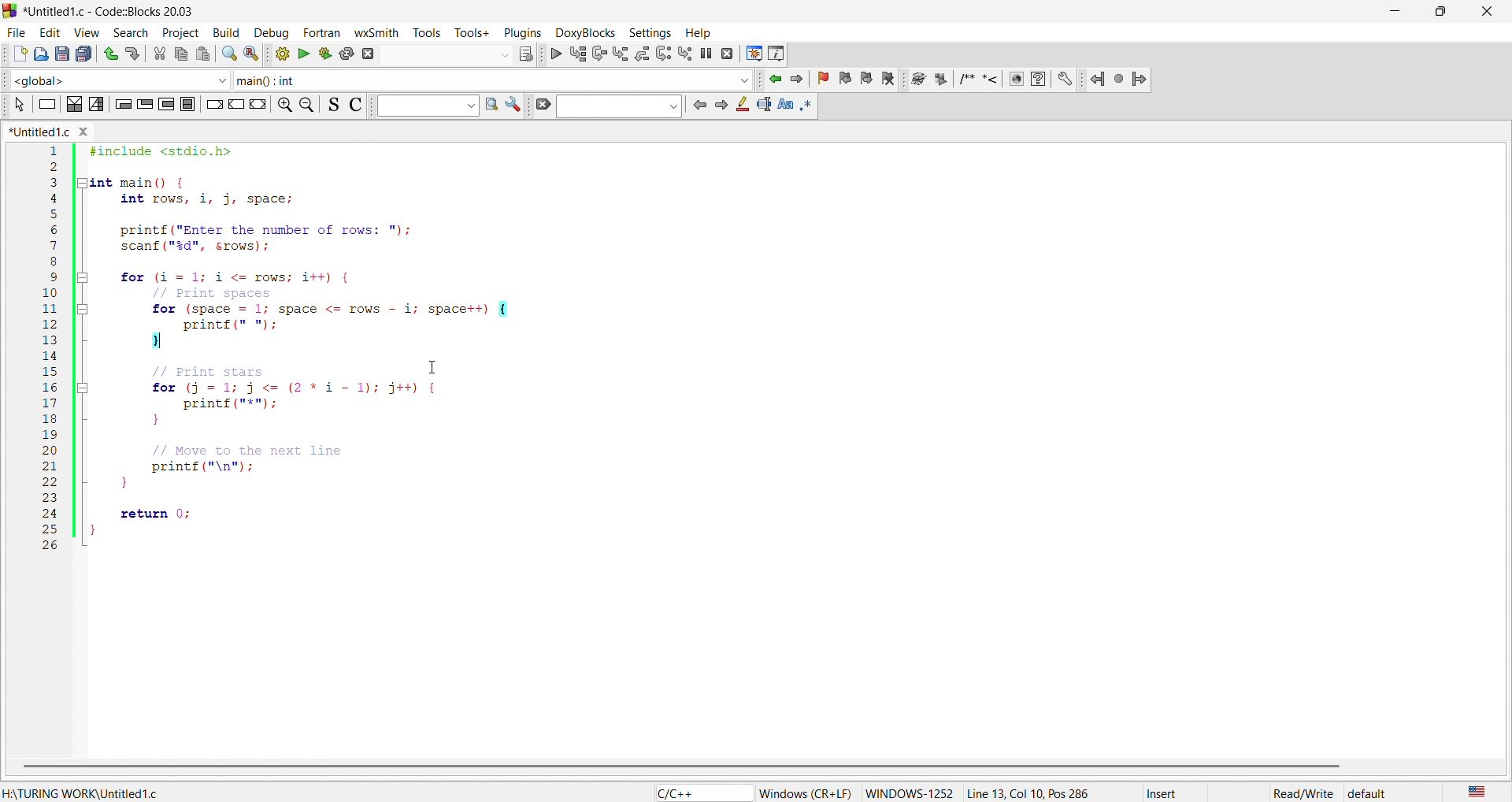 Image resolution: width=1512 pixels, height=802 pixels. Describe the element at coordinates (1037, 80) in the screenshot. I see `help` at that location.